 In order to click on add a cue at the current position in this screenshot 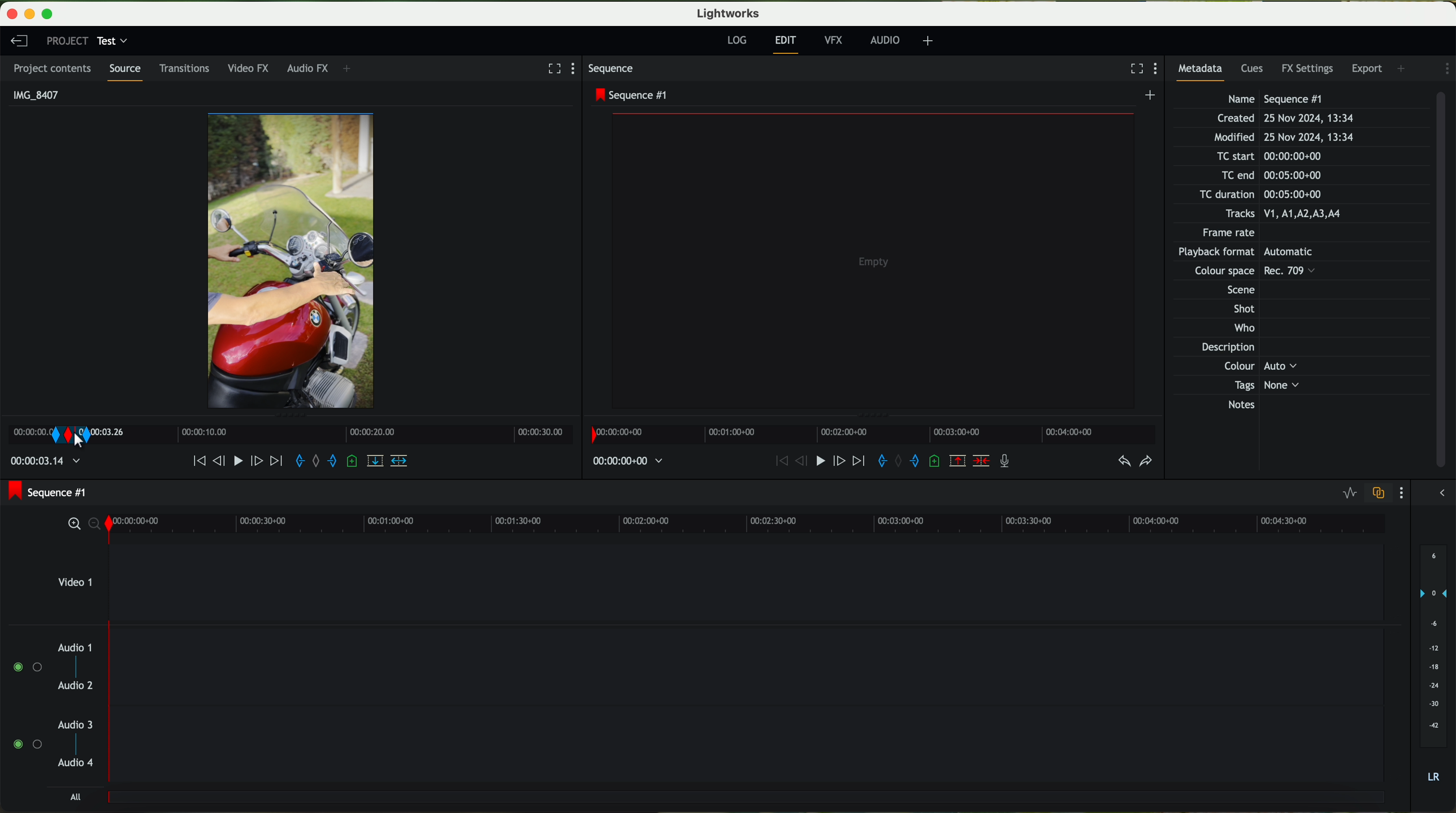, I will do `click(353, 462)`.